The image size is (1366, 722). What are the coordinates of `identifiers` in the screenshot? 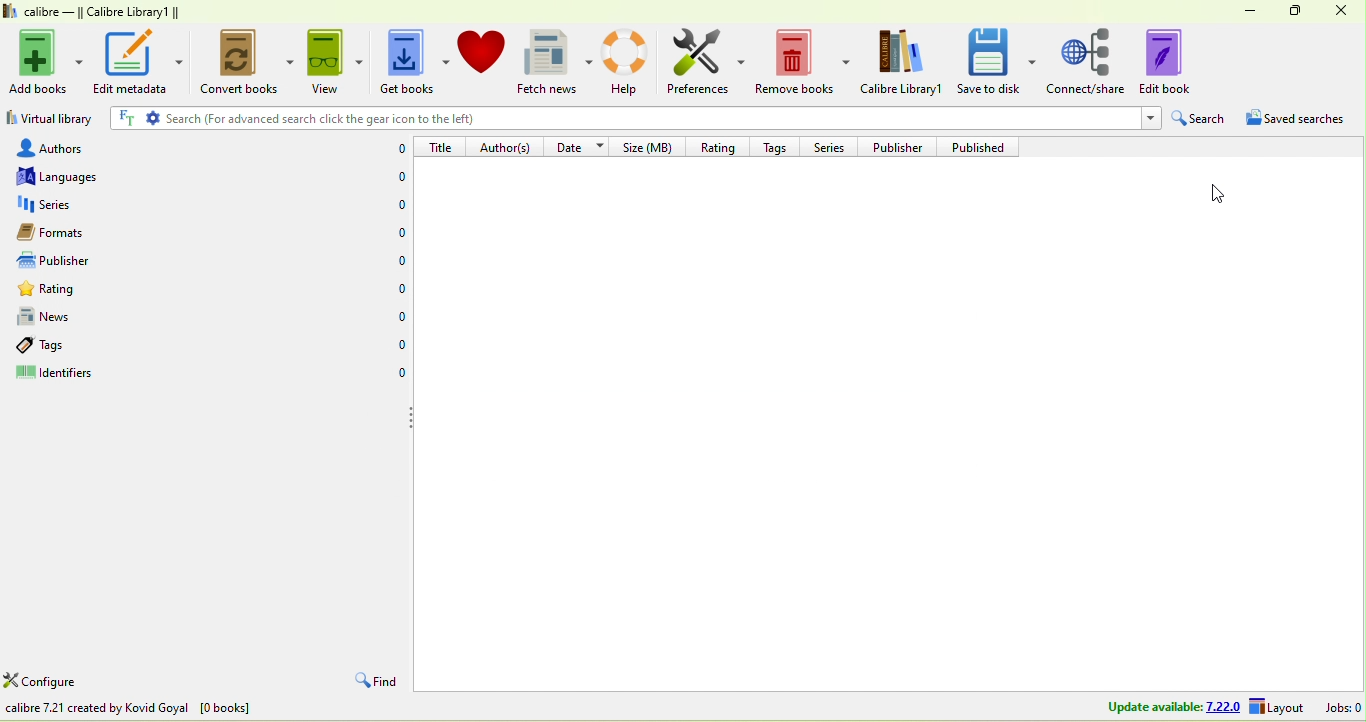 It's located at (75, 375).